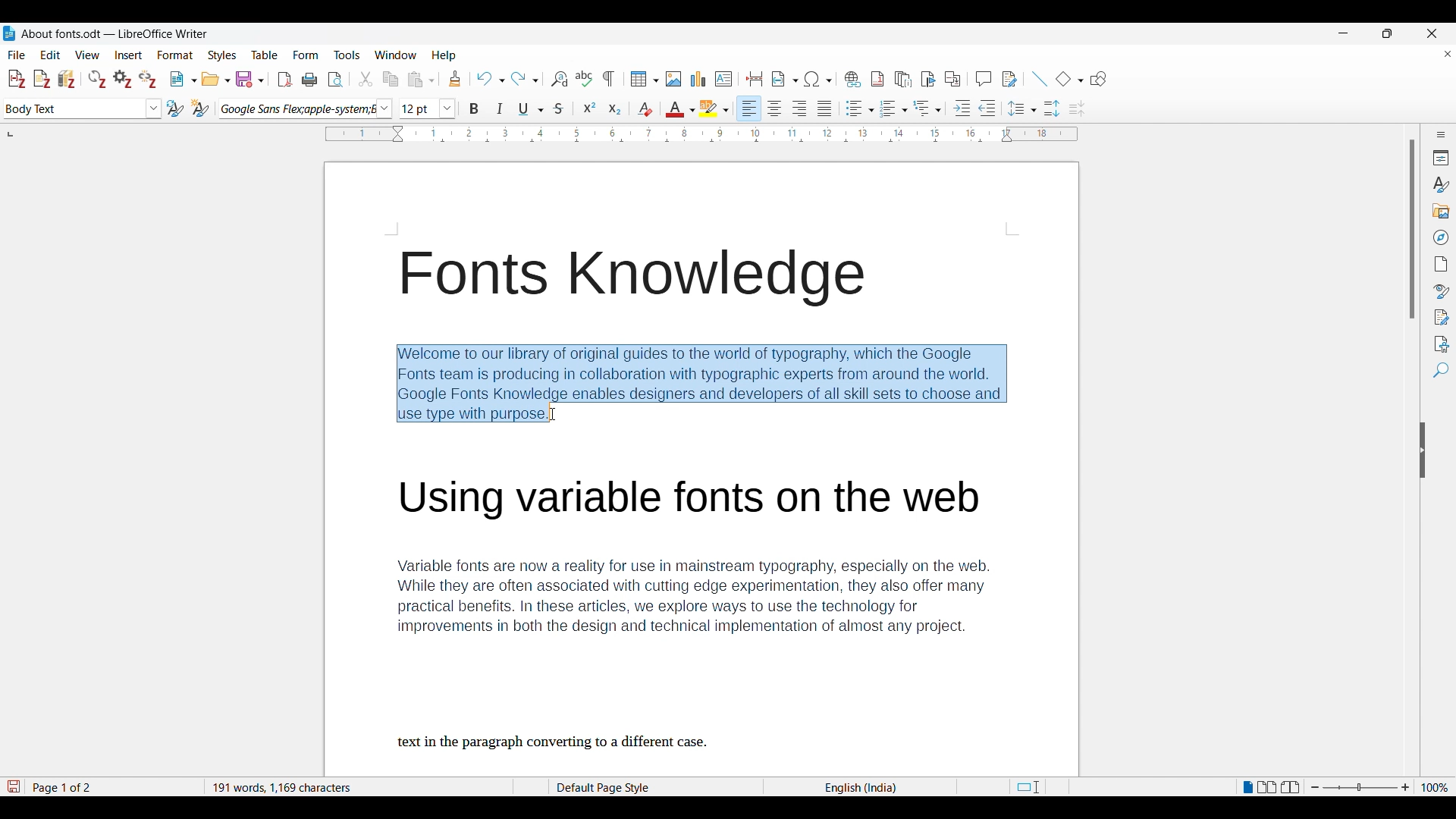 The height and width of the screenshot is (819, 1456). Describe the element at coordinates (97, 79) in the screenshot. I see `Refresh ` at that location.